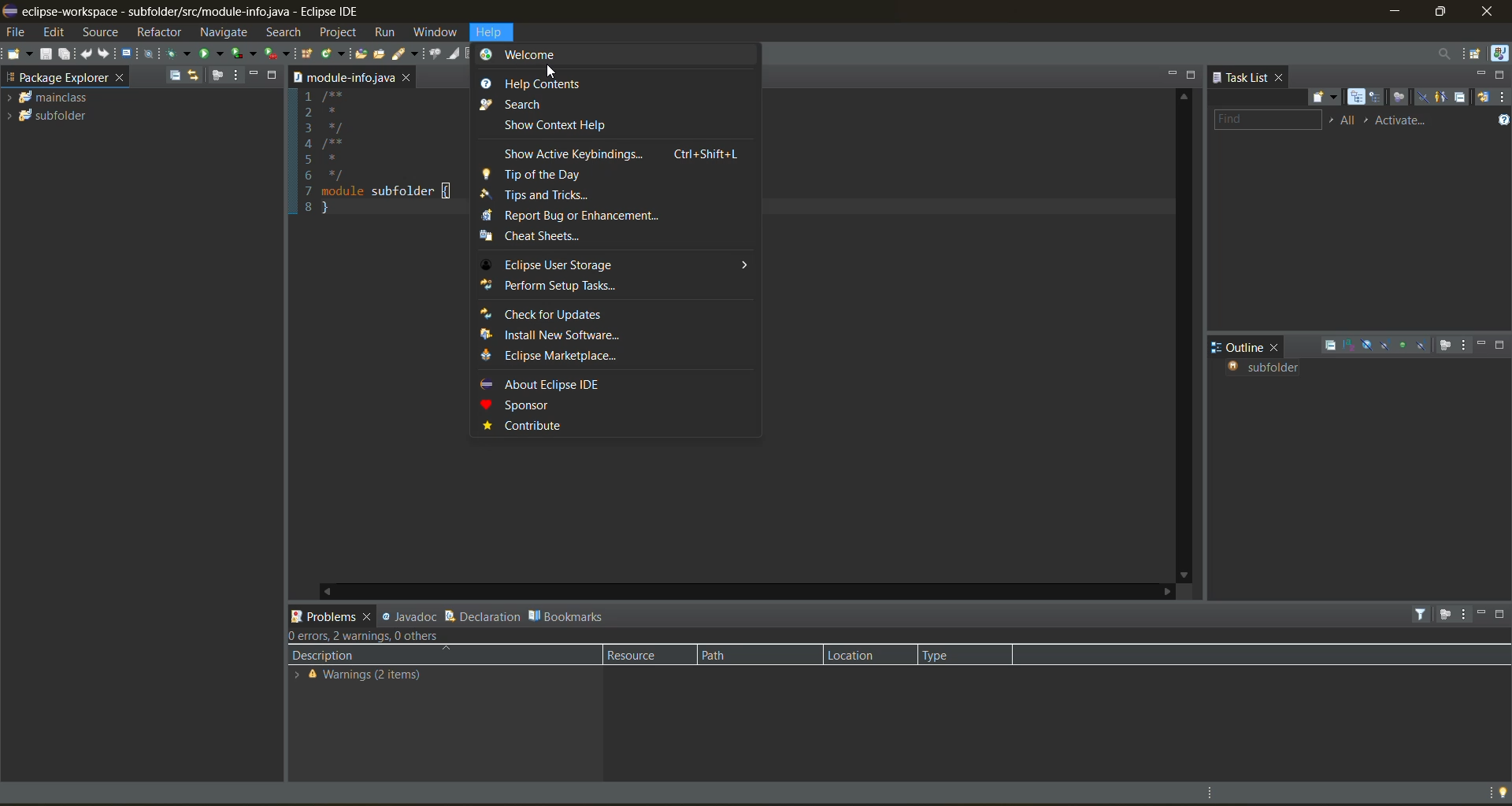 This screenshot has height=806, width=1512. I want to click on outline, so click(1241, 345).